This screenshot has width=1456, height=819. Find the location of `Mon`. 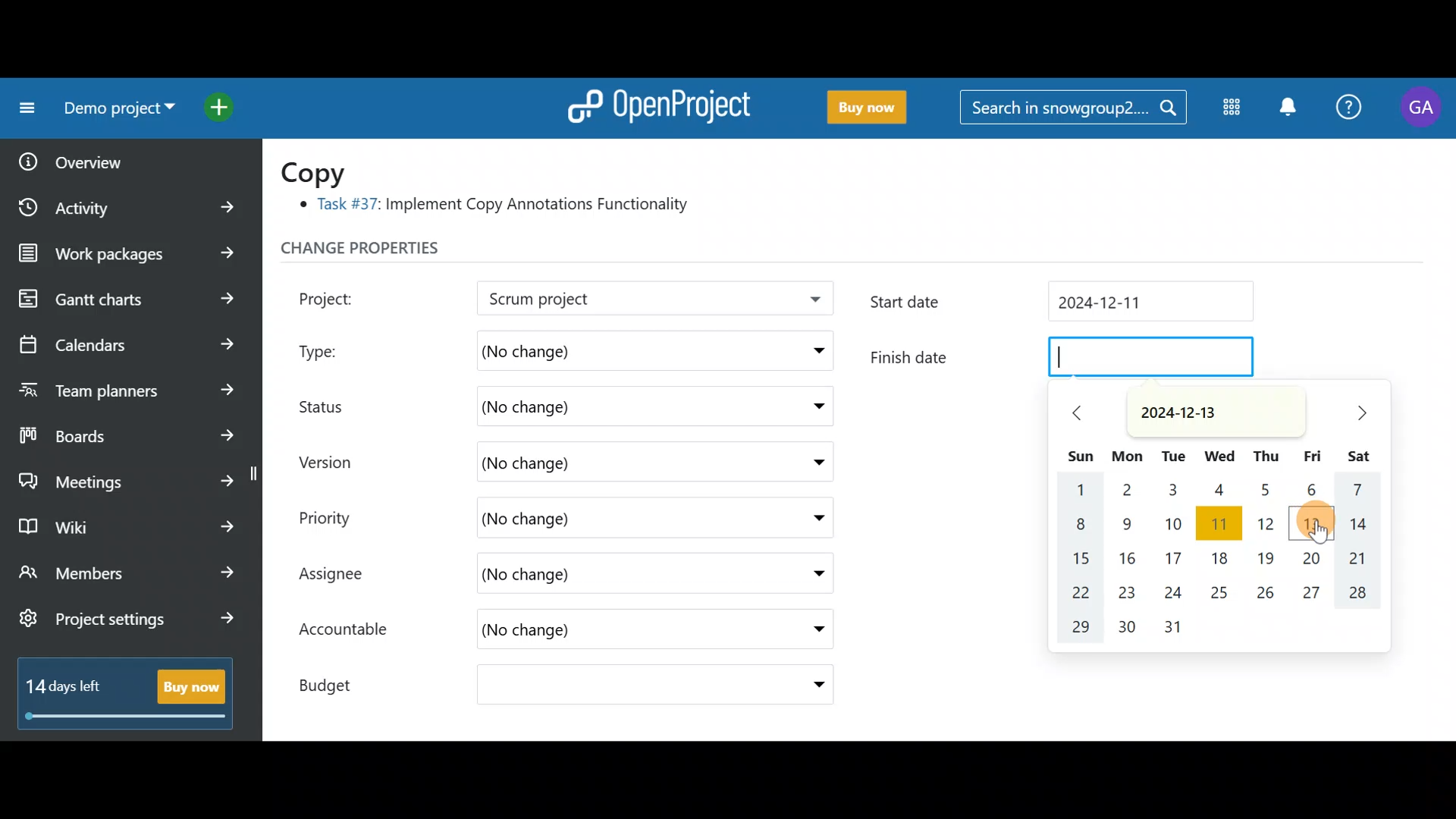

Mon is located at coordinates (1129, 454).